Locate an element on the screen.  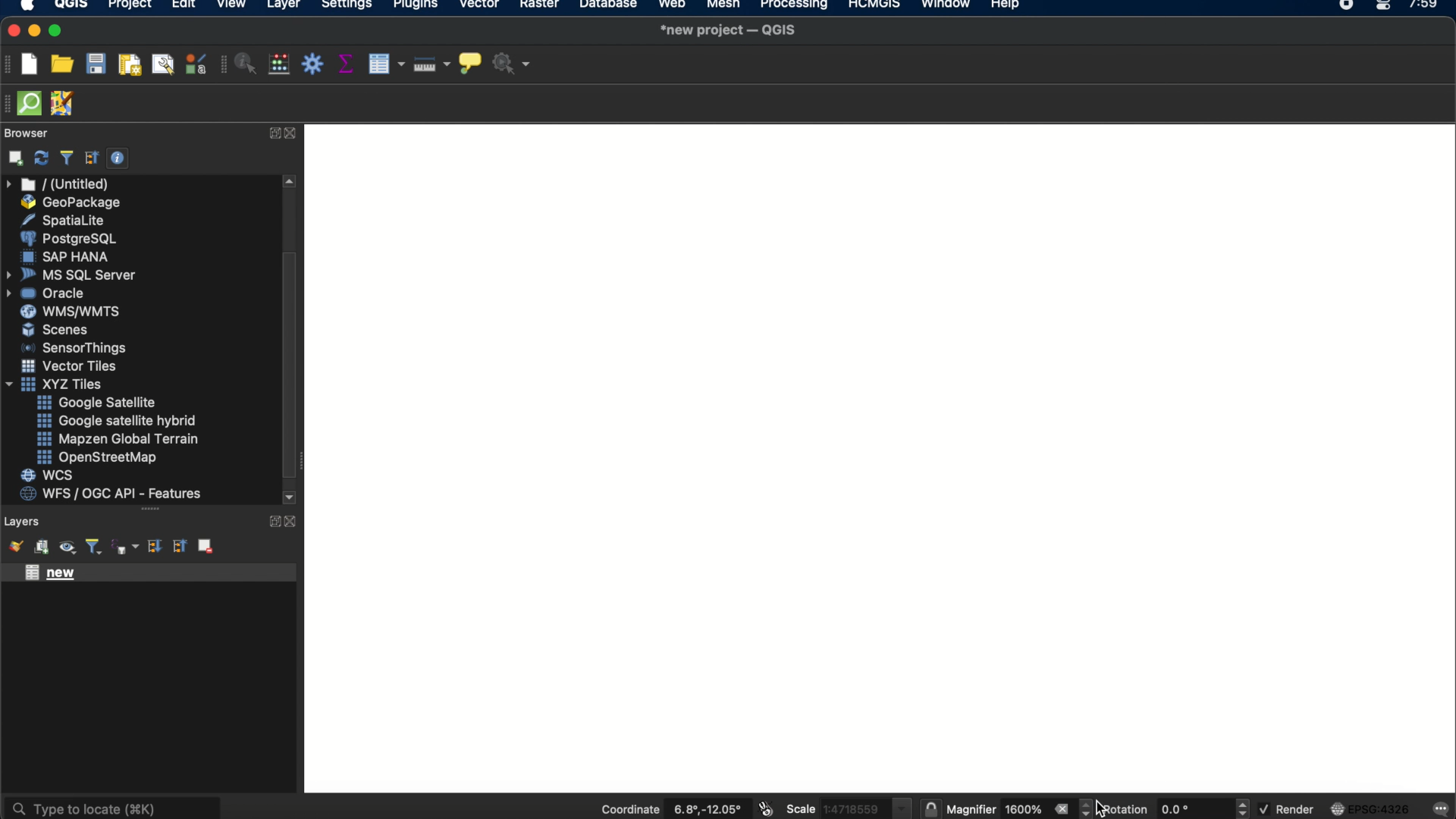
window is located at coordinates (949, 6).